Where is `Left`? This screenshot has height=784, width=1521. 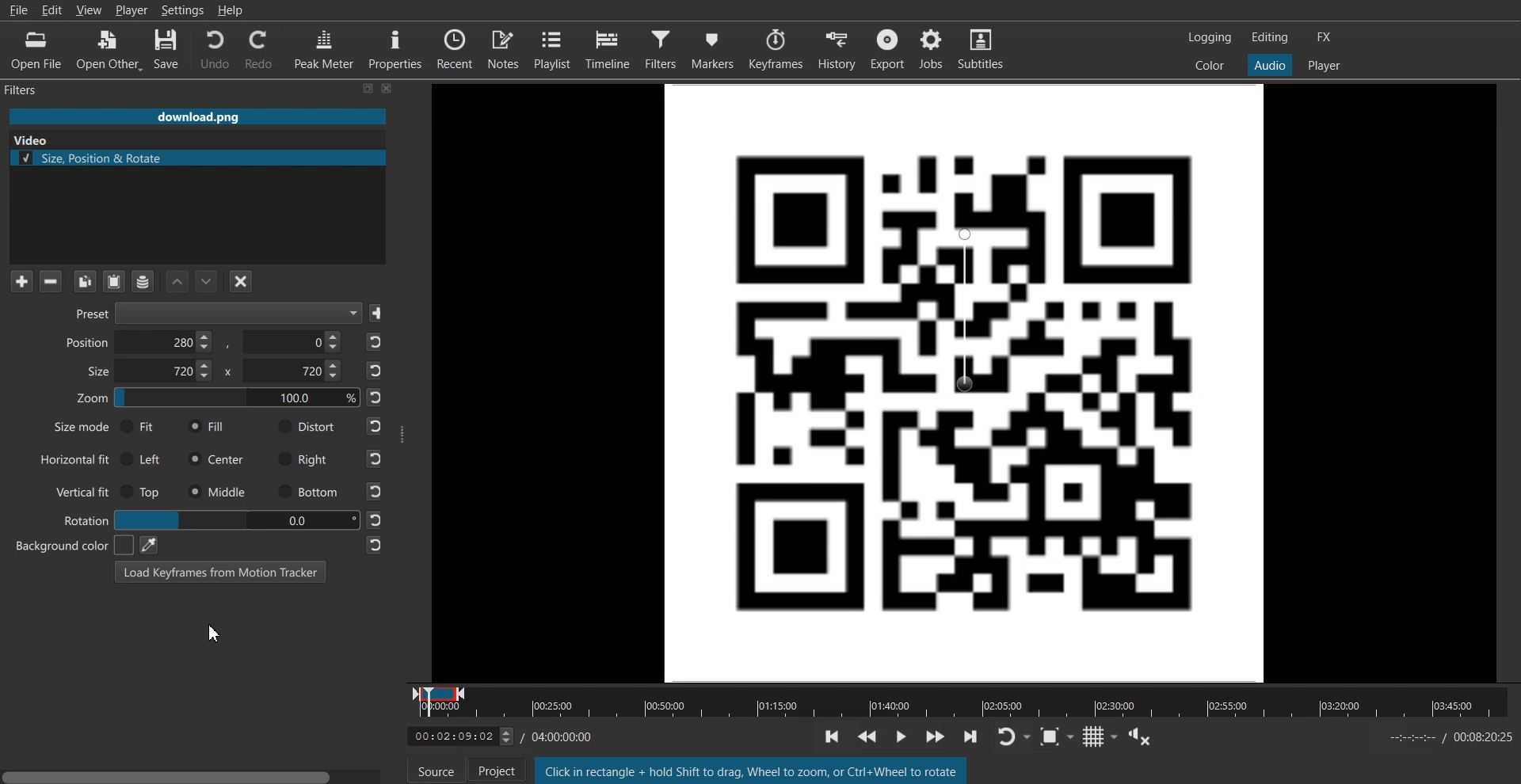 Left is located at coordinates (145, 458).